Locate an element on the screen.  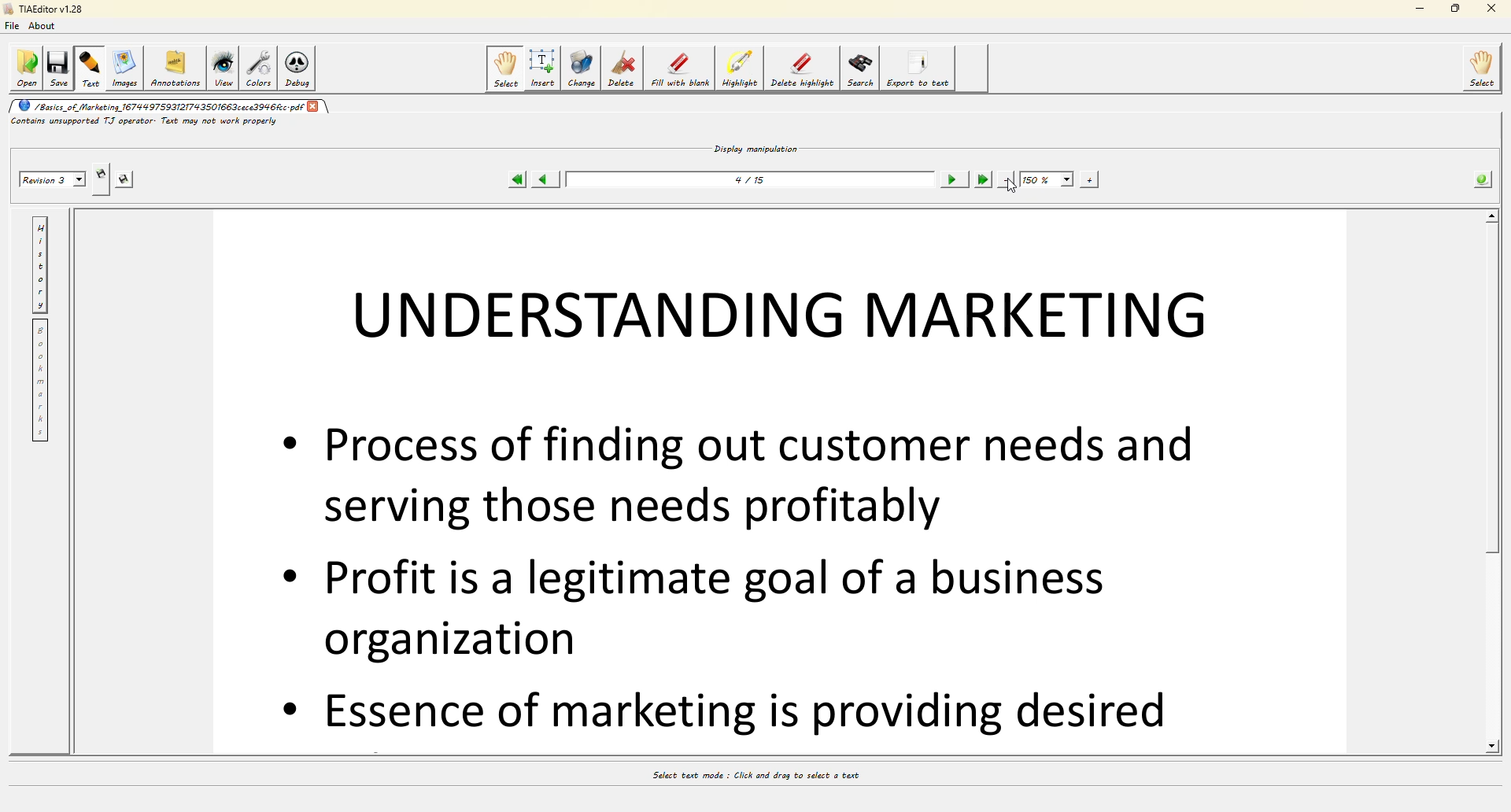
colors is located at coordinates (260, 68).